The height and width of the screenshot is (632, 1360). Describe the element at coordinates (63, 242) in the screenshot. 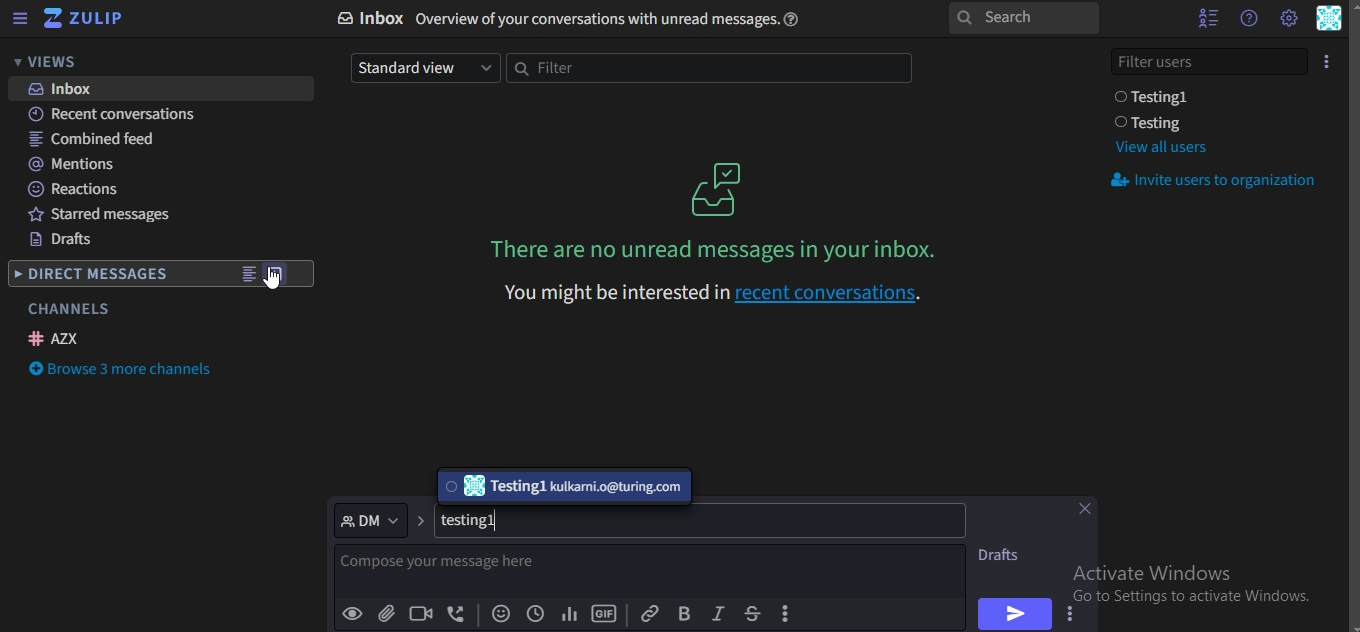

I see `drafts` at that location.